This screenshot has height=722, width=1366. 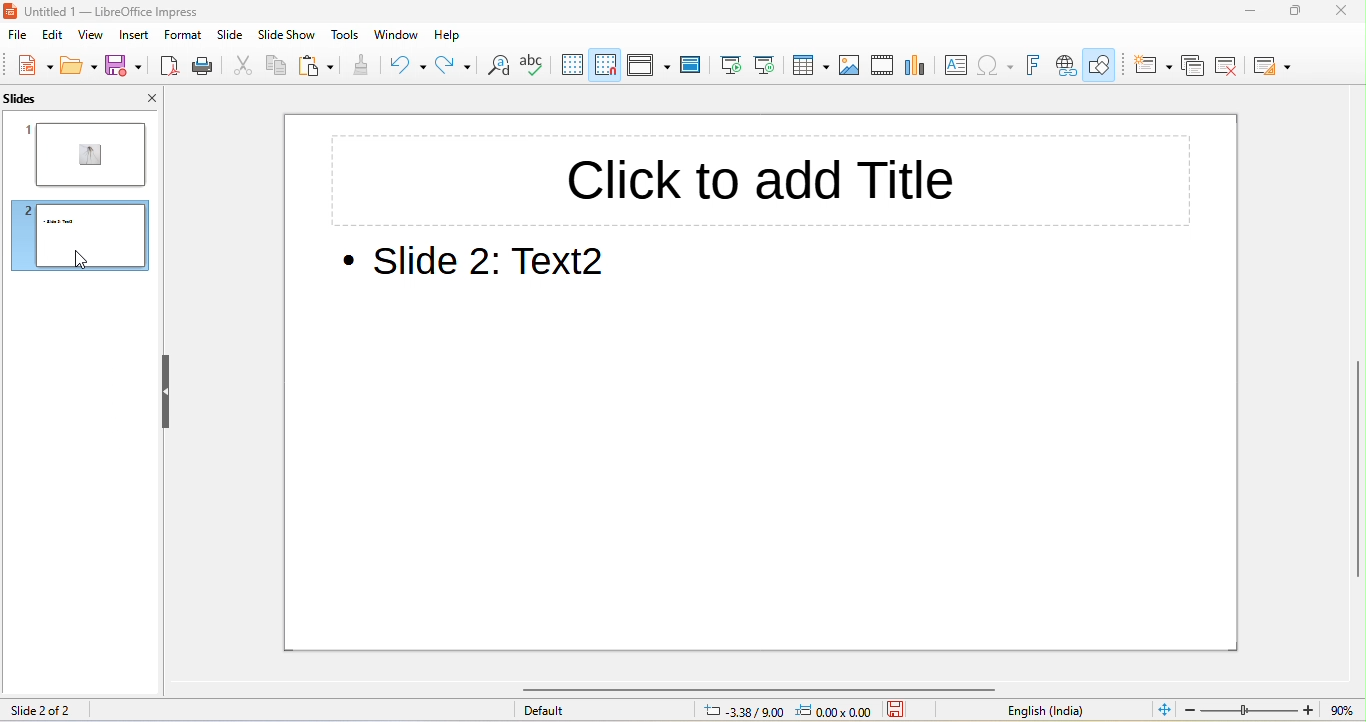 I want to click on video, so click(x=883, y=67).